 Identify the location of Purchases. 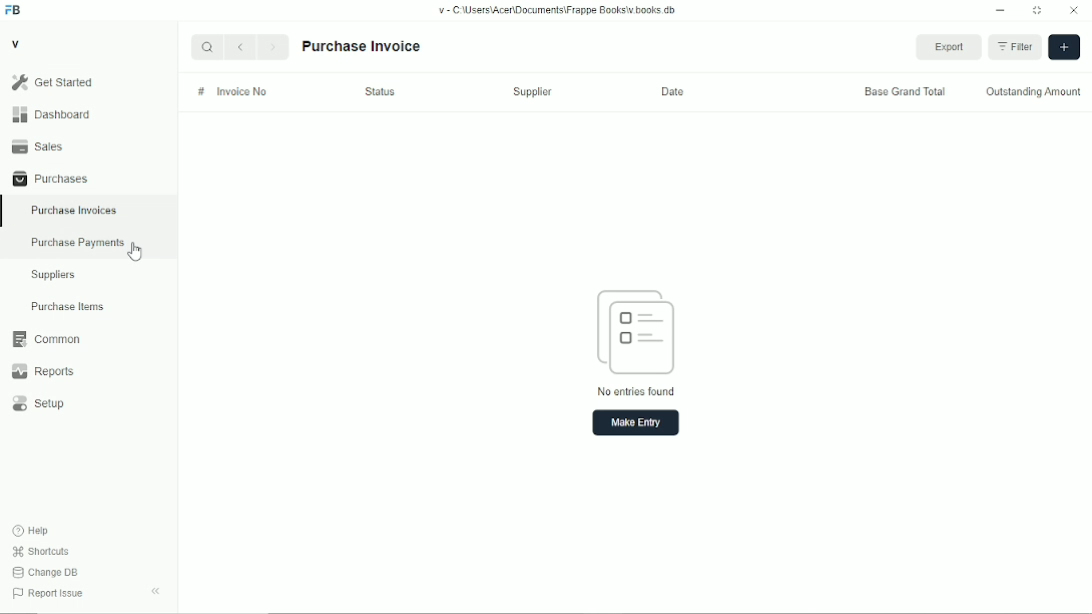
(88, 178).